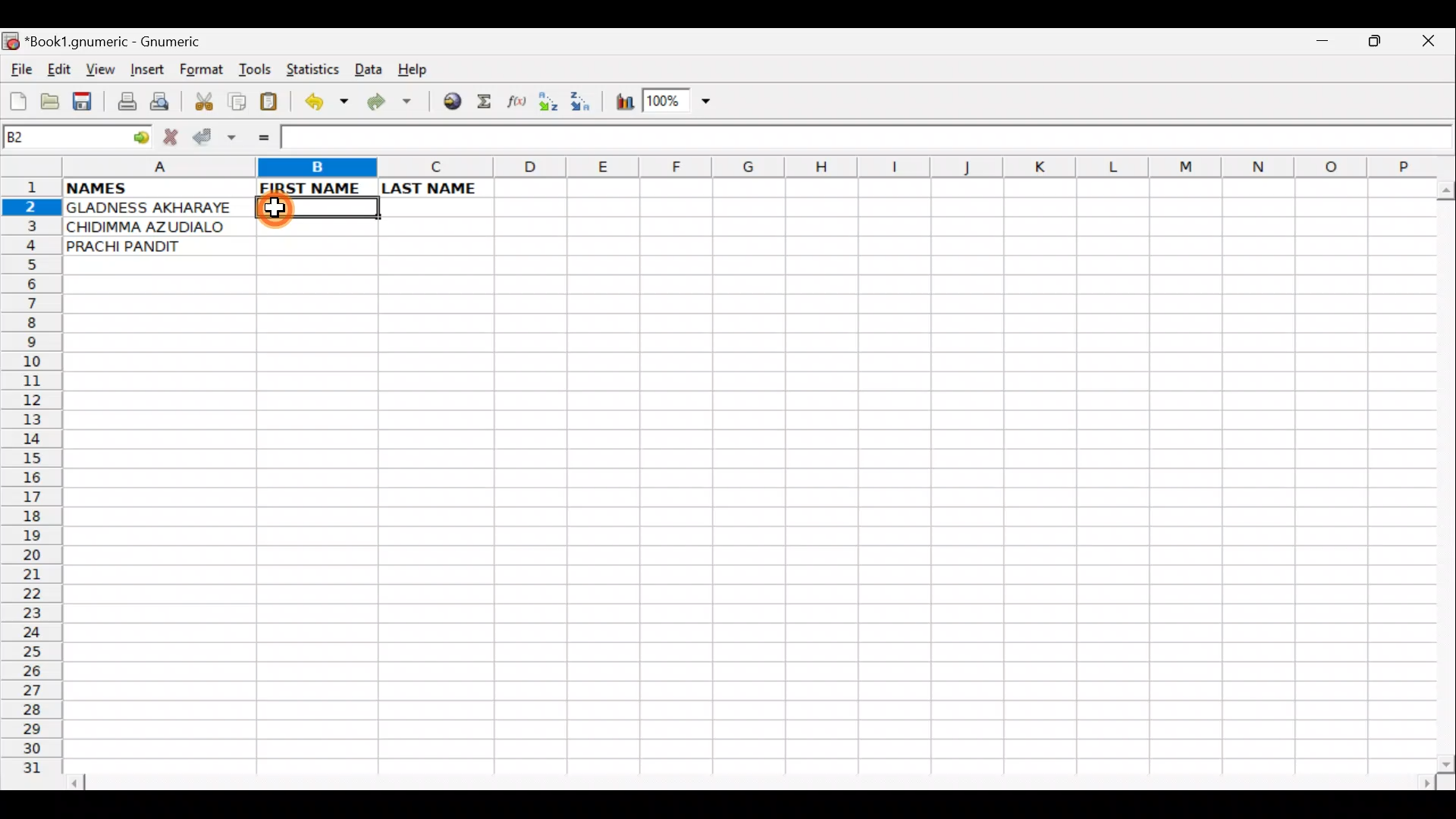  Describe the element at coordinates (620, 104) in the screenshot. I see `Insert Chart` at that location.